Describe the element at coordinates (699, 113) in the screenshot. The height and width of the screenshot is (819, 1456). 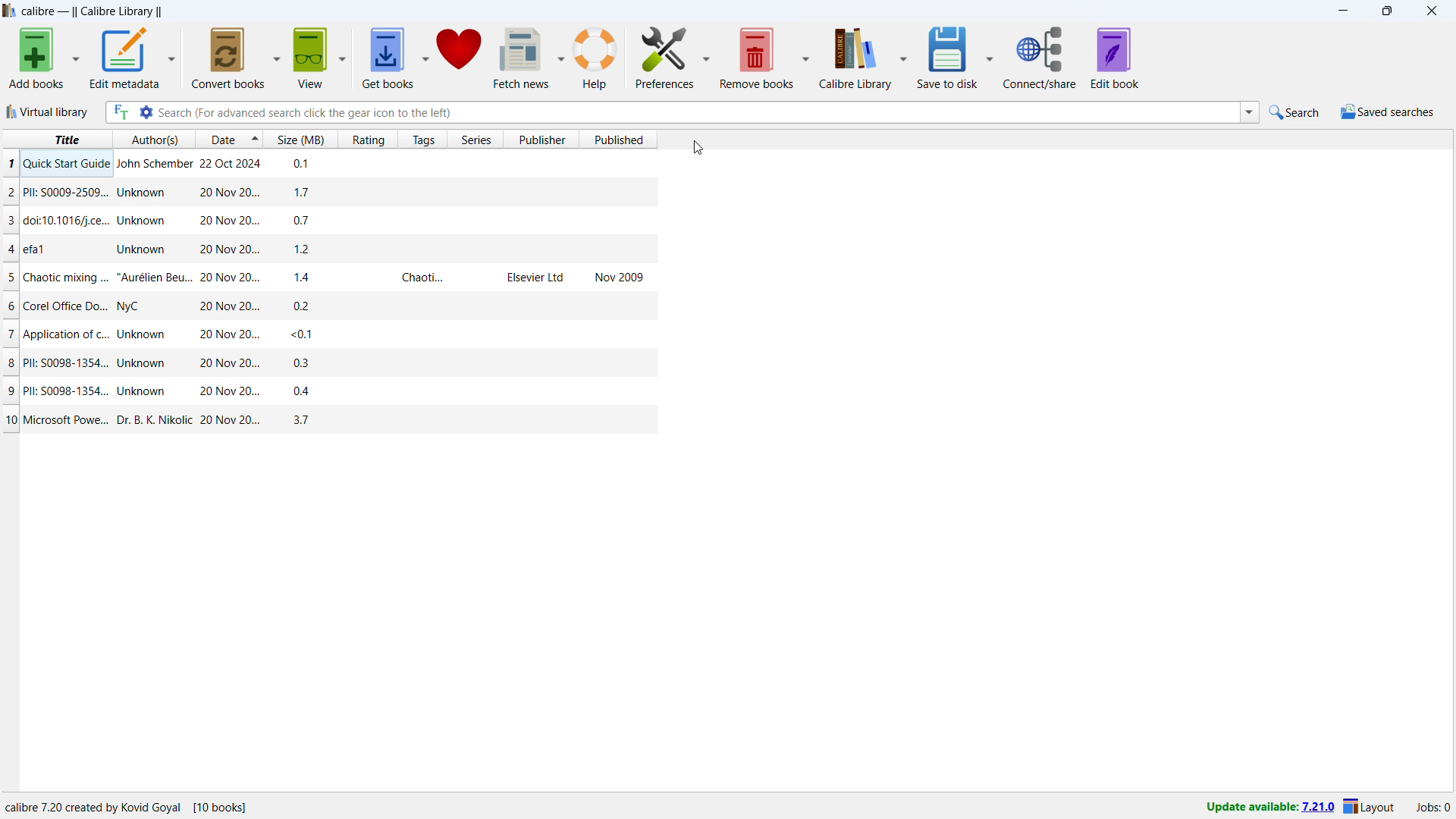
I see `enter search string` at that location.